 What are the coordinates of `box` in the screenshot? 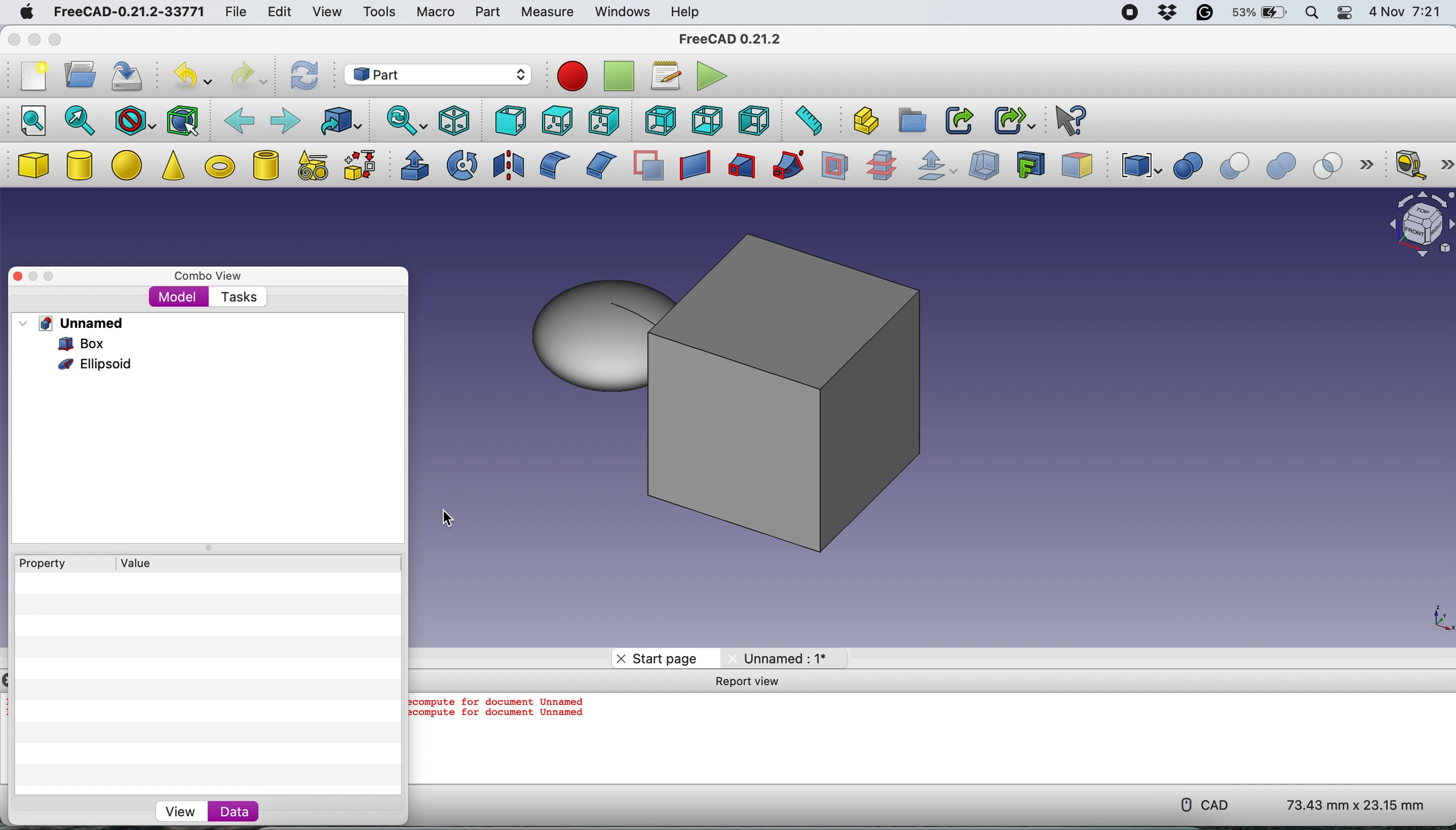 It's located at (78, 343).